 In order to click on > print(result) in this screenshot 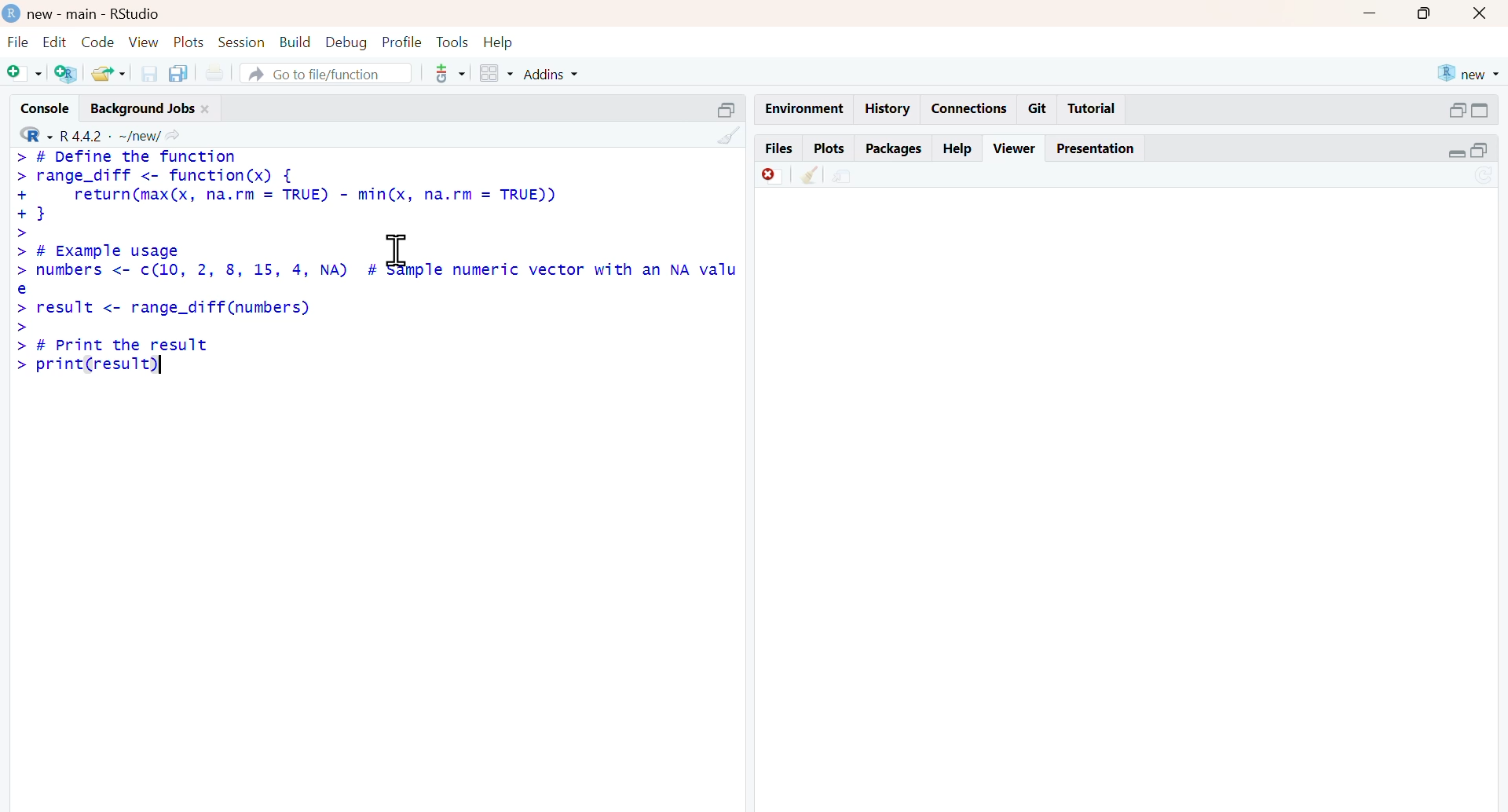, I will do `click(88, 367)`.